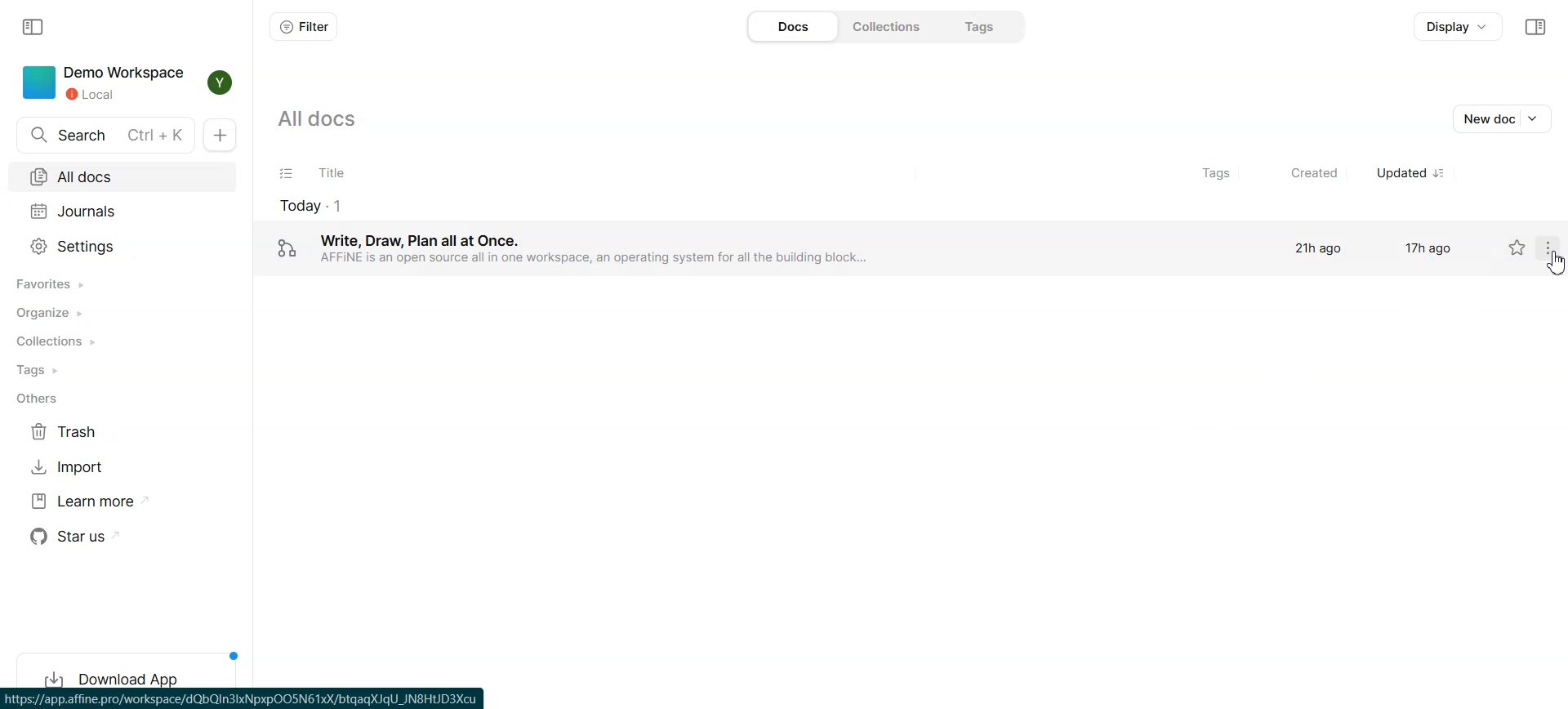 Image resolution: width=1568 pixels, height=709 pixels. I want to click on Docs, so click(792, 27).